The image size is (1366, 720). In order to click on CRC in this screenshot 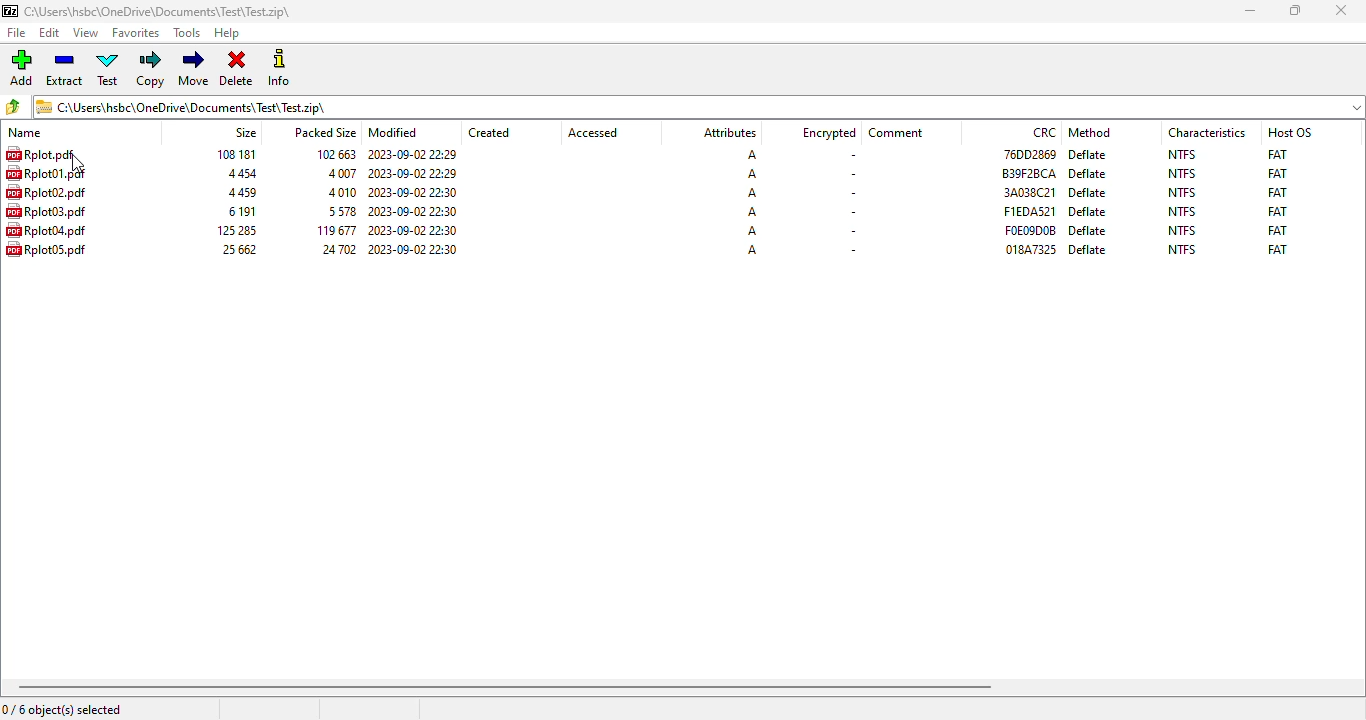, I will do `click(1028, 153)`.